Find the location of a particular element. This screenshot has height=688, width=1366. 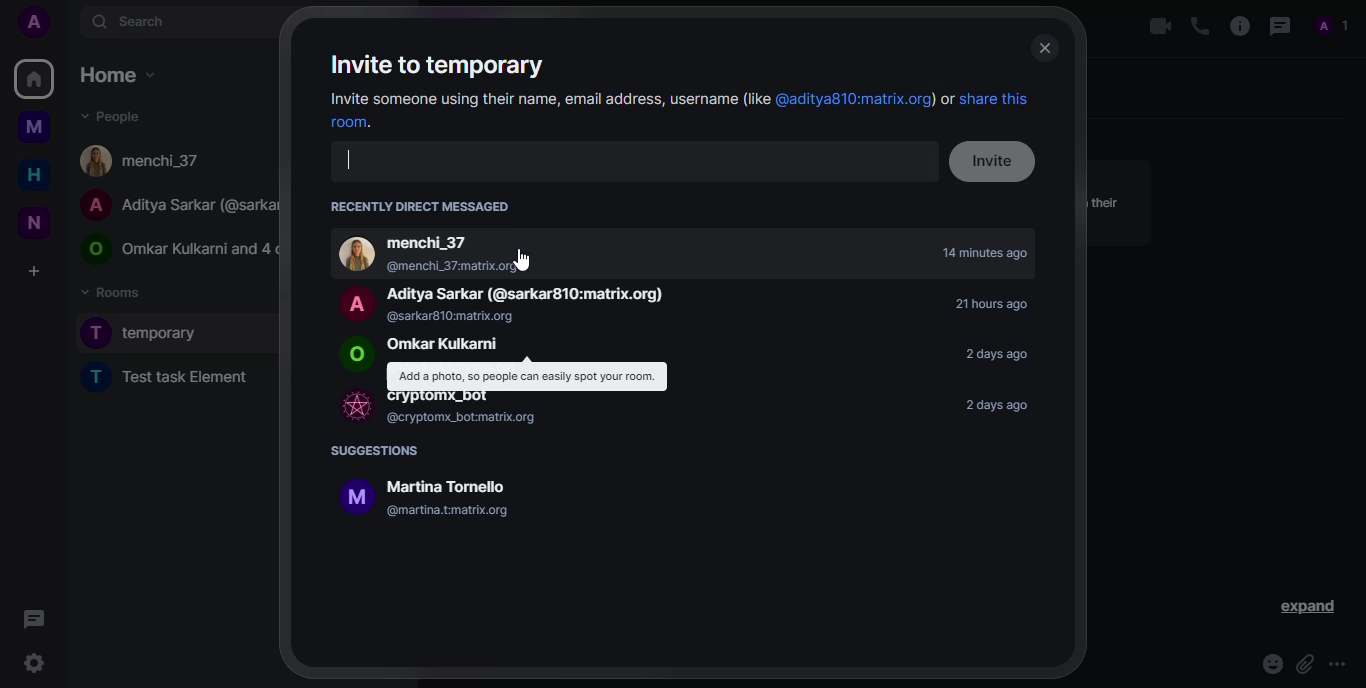

profile picture is located at coordinates (351, 255).